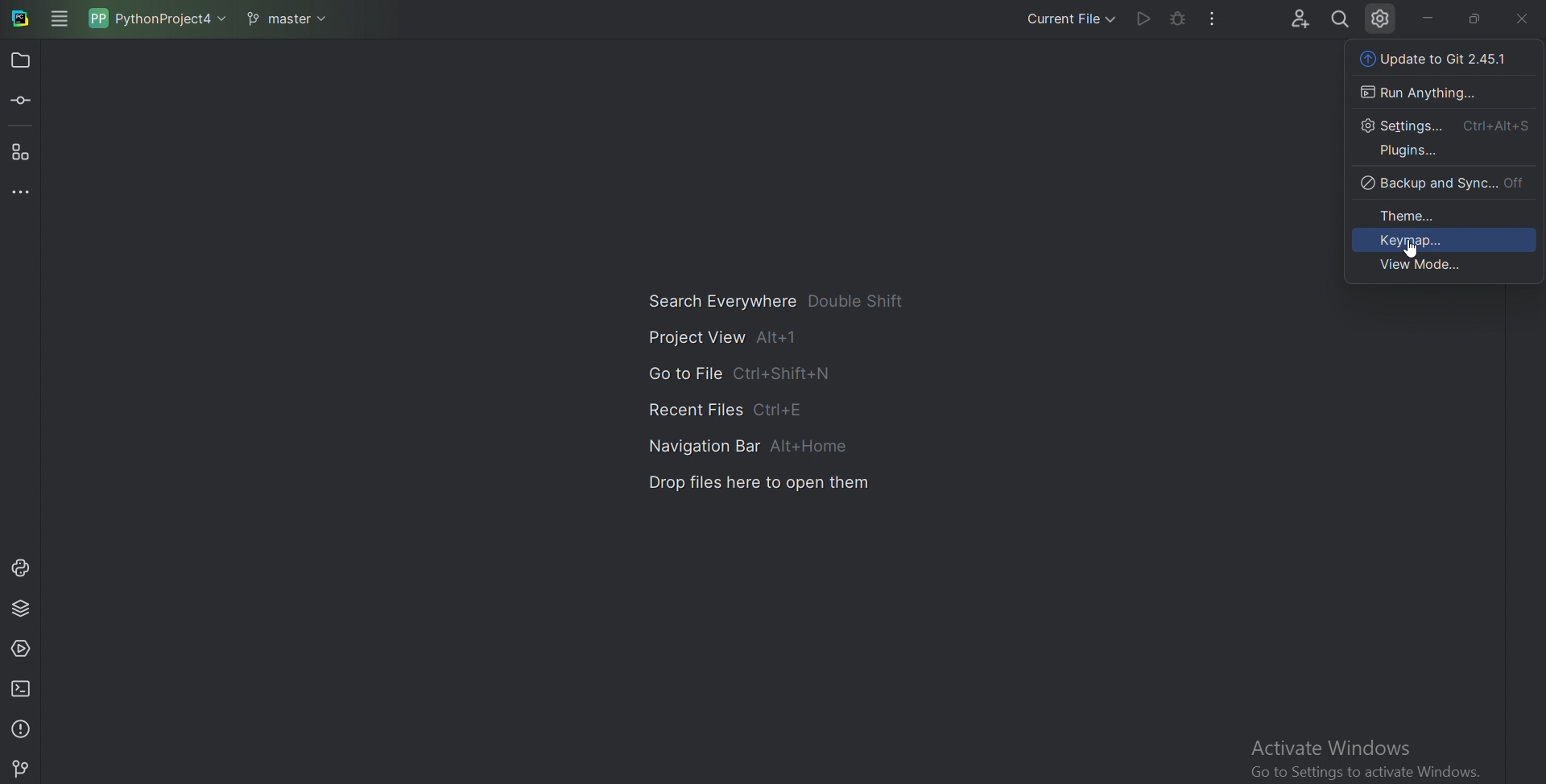  Describe the element at coordinates (25, 151) in the screenshot. I see `Structure` at that location.